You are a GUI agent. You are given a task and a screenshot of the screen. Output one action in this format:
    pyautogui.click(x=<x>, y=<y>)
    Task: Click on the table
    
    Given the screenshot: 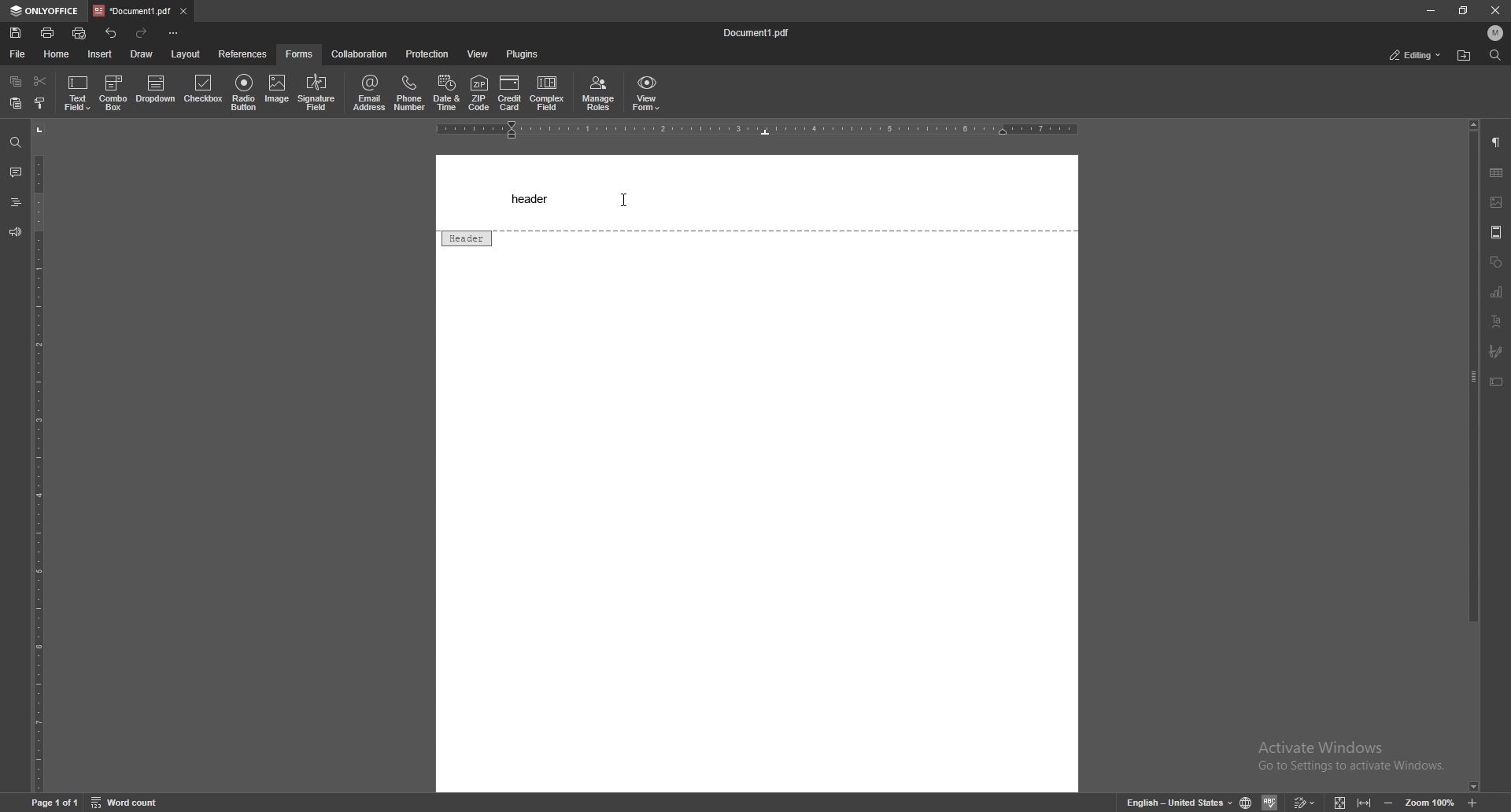 What is the action you would take?
    pyautogui.click(x=1498, y=173)
    